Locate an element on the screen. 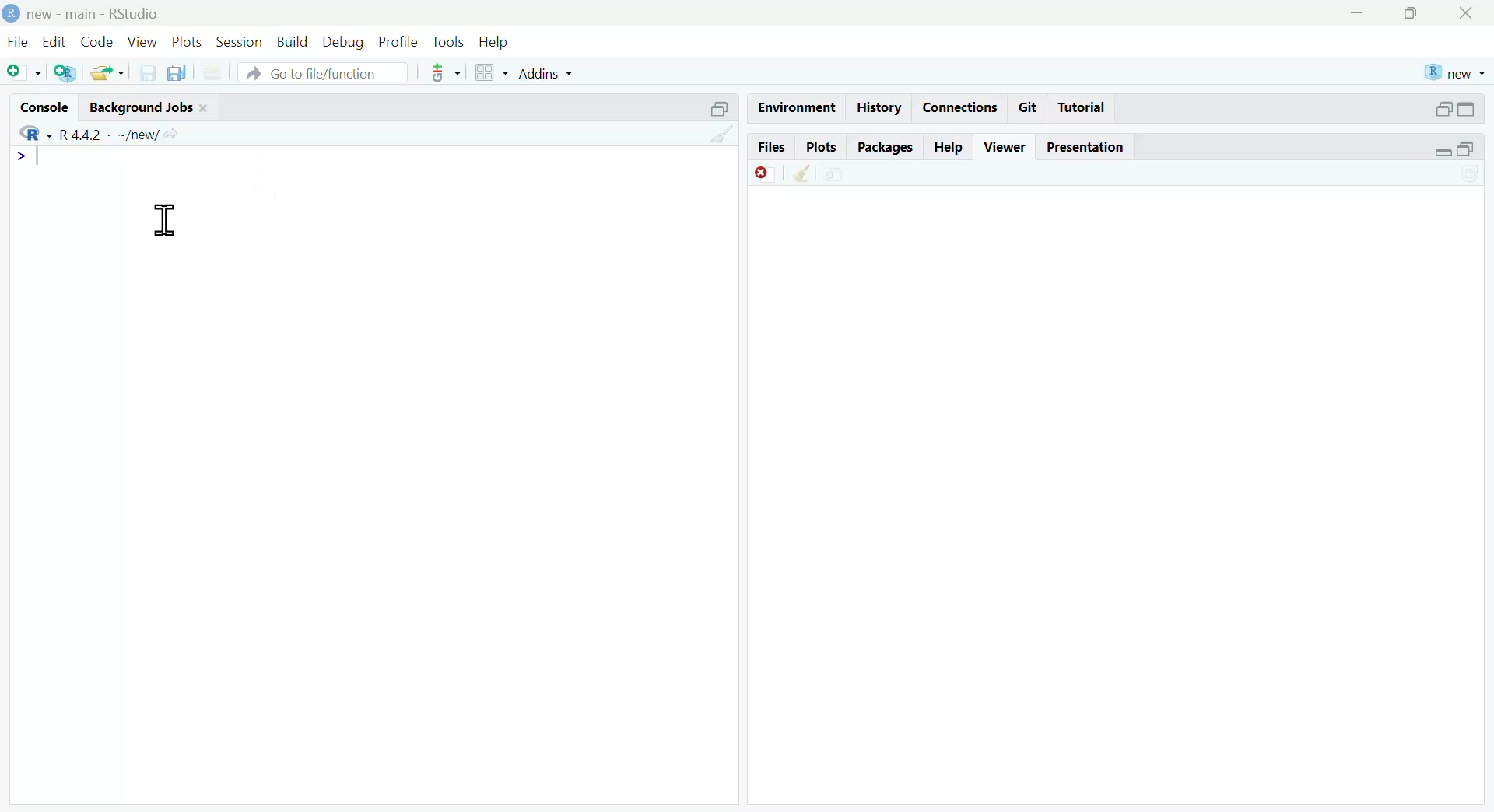 The height and width of the screenshot is (812, 1494). Tools is located at coordinates (445, 40).